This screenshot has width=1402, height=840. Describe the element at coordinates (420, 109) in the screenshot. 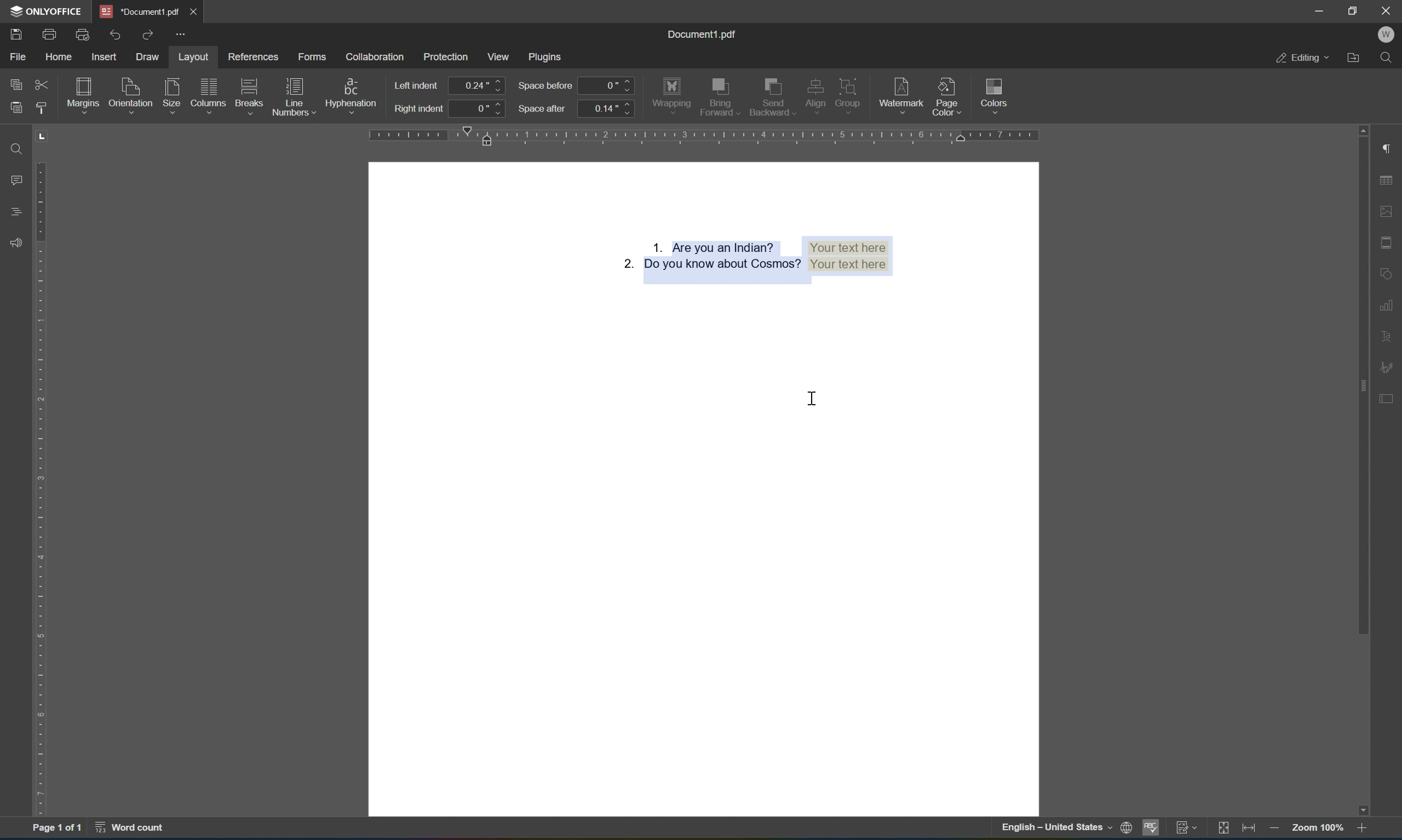

I see `right indent` at that location.